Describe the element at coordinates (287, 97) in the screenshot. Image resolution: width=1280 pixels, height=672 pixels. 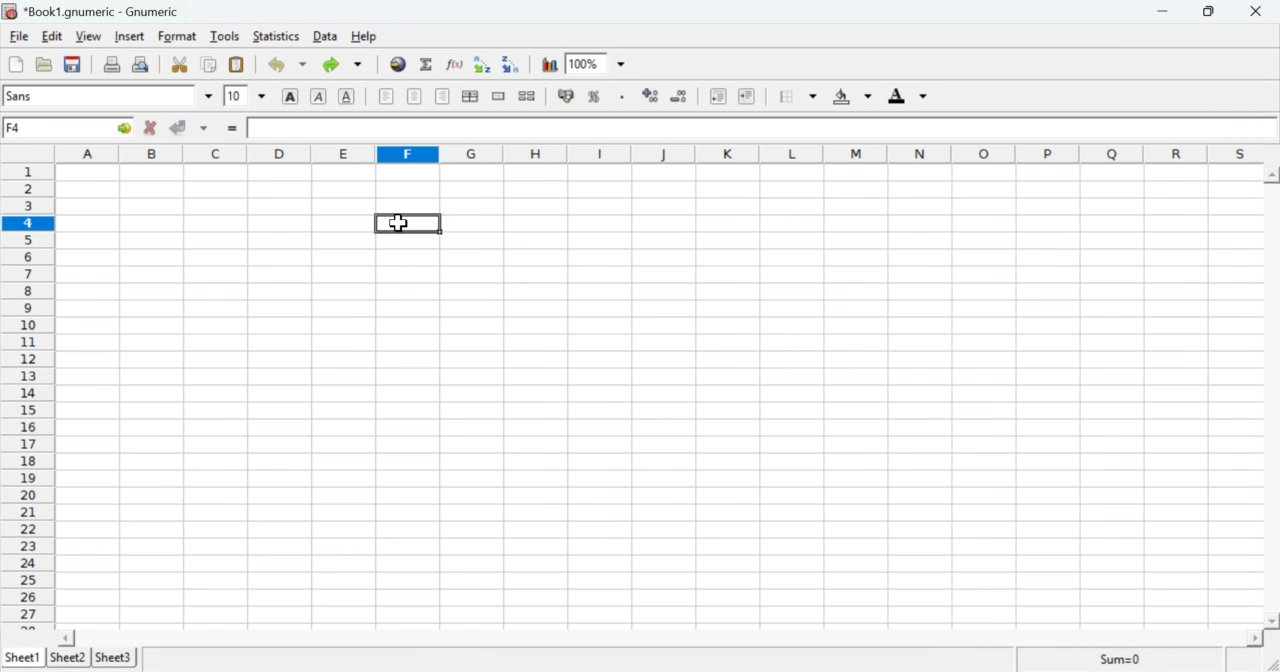
I see `Bold` at that location.